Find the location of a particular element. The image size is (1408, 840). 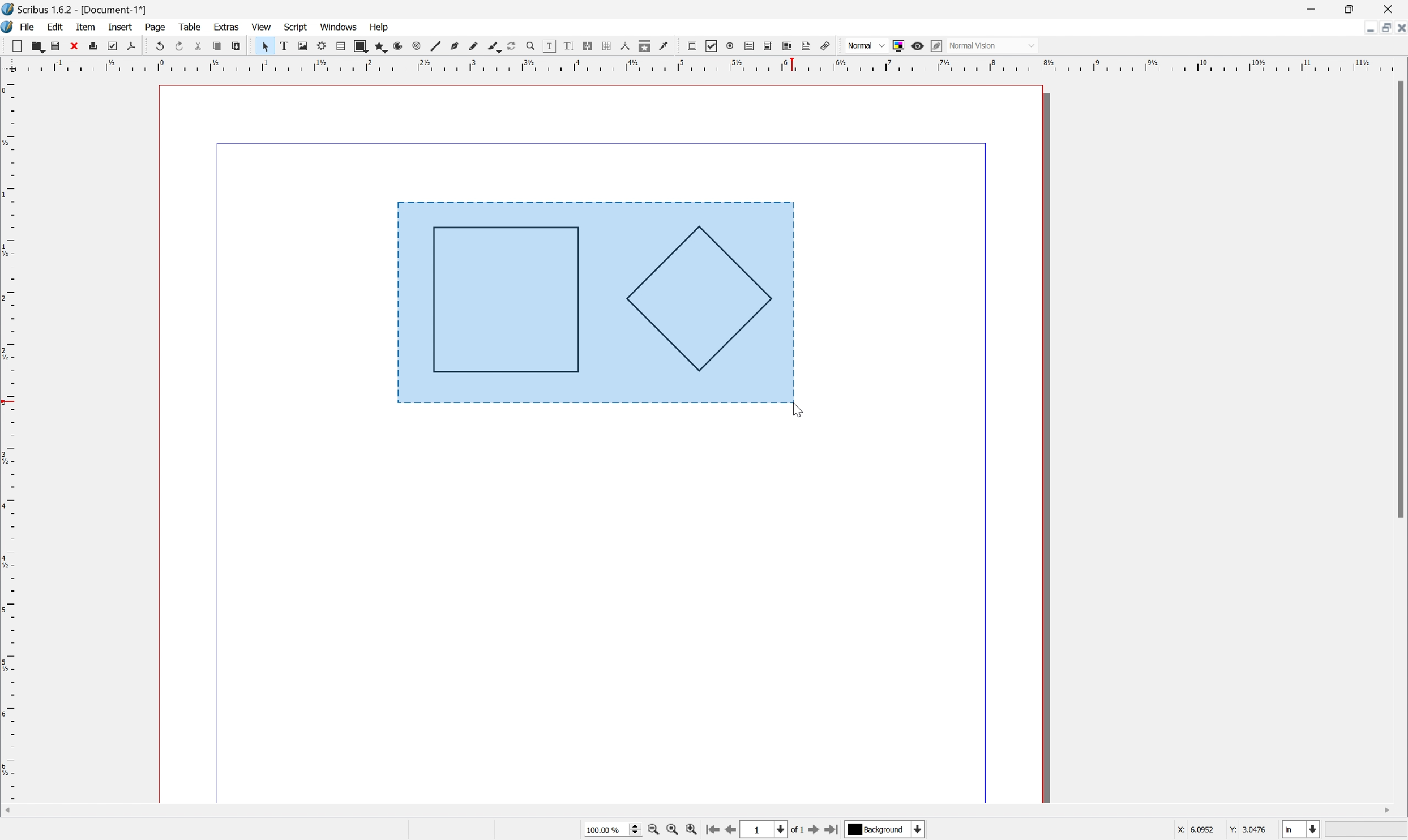

line is located at coordinates (434, 45).